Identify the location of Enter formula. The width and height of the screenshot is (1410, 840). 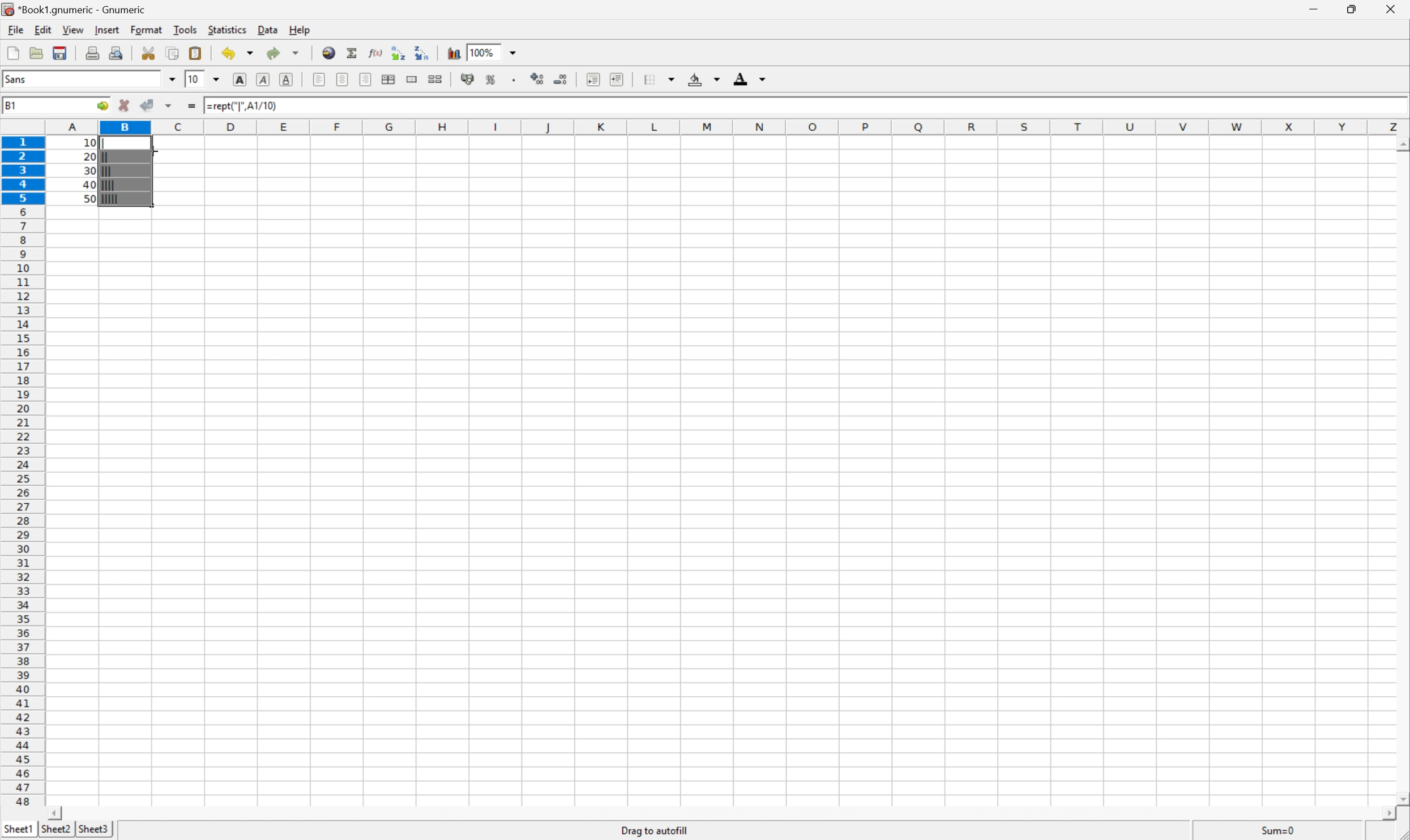
(192, 106).